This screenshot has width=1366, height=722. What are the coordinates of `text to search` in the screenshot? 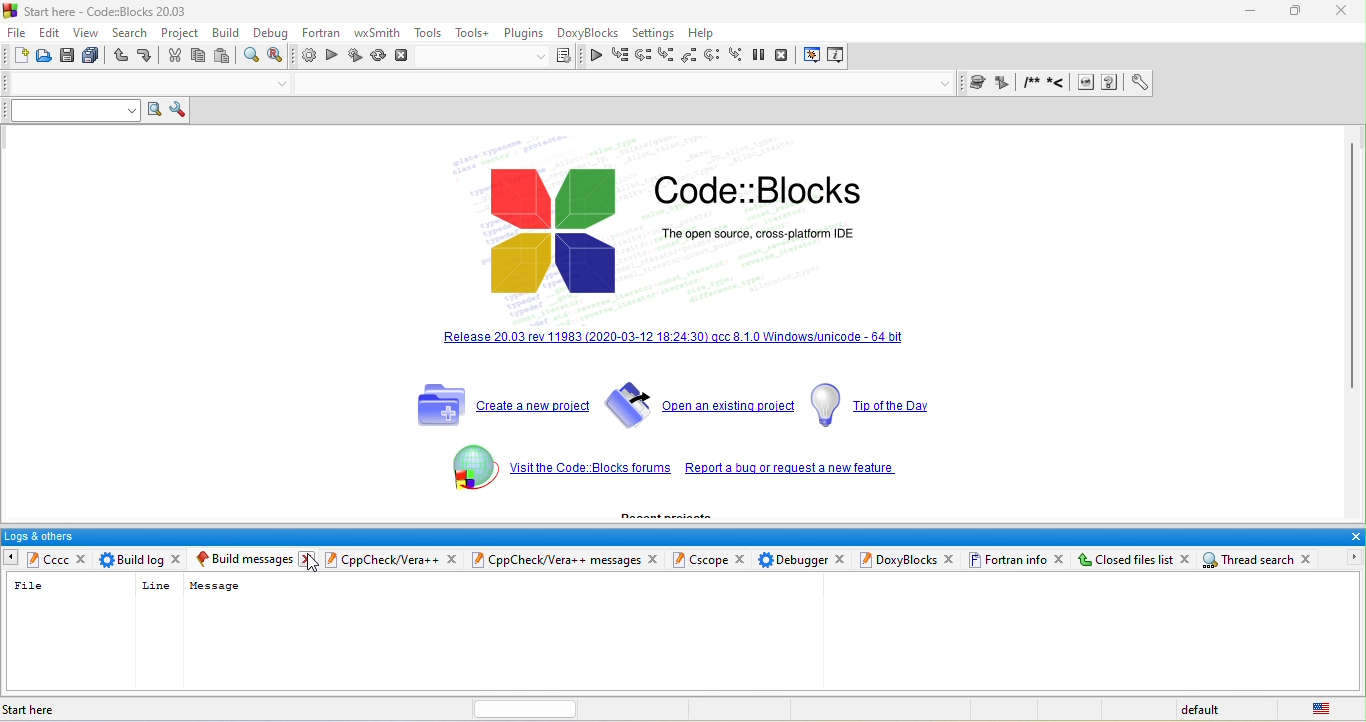 It's located at (68, 110).